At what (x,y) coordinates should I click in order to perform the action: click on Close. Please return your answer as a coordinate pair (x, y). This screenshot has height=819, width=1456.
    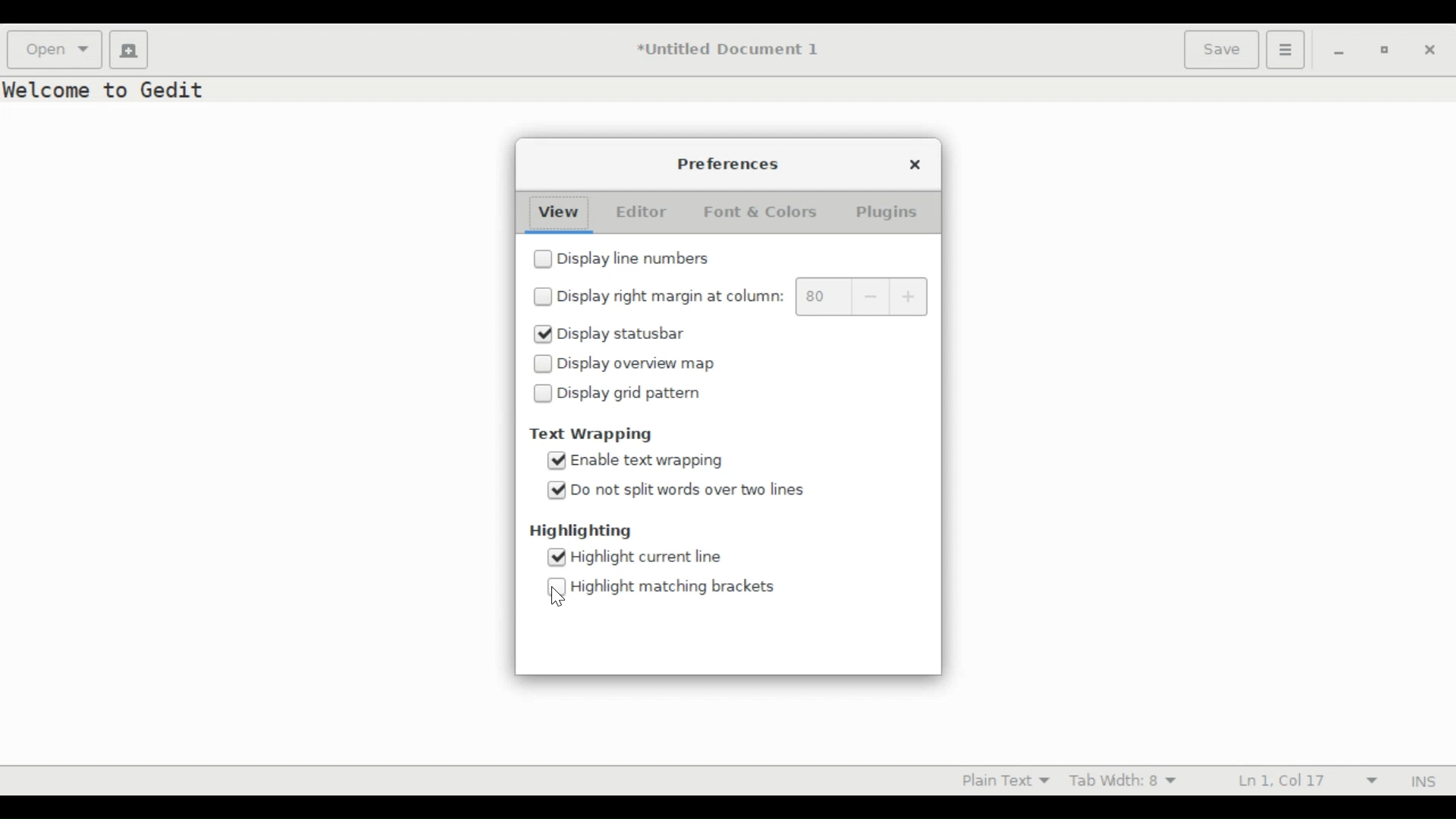
    Looking at the image, I should click on (1431, 50).